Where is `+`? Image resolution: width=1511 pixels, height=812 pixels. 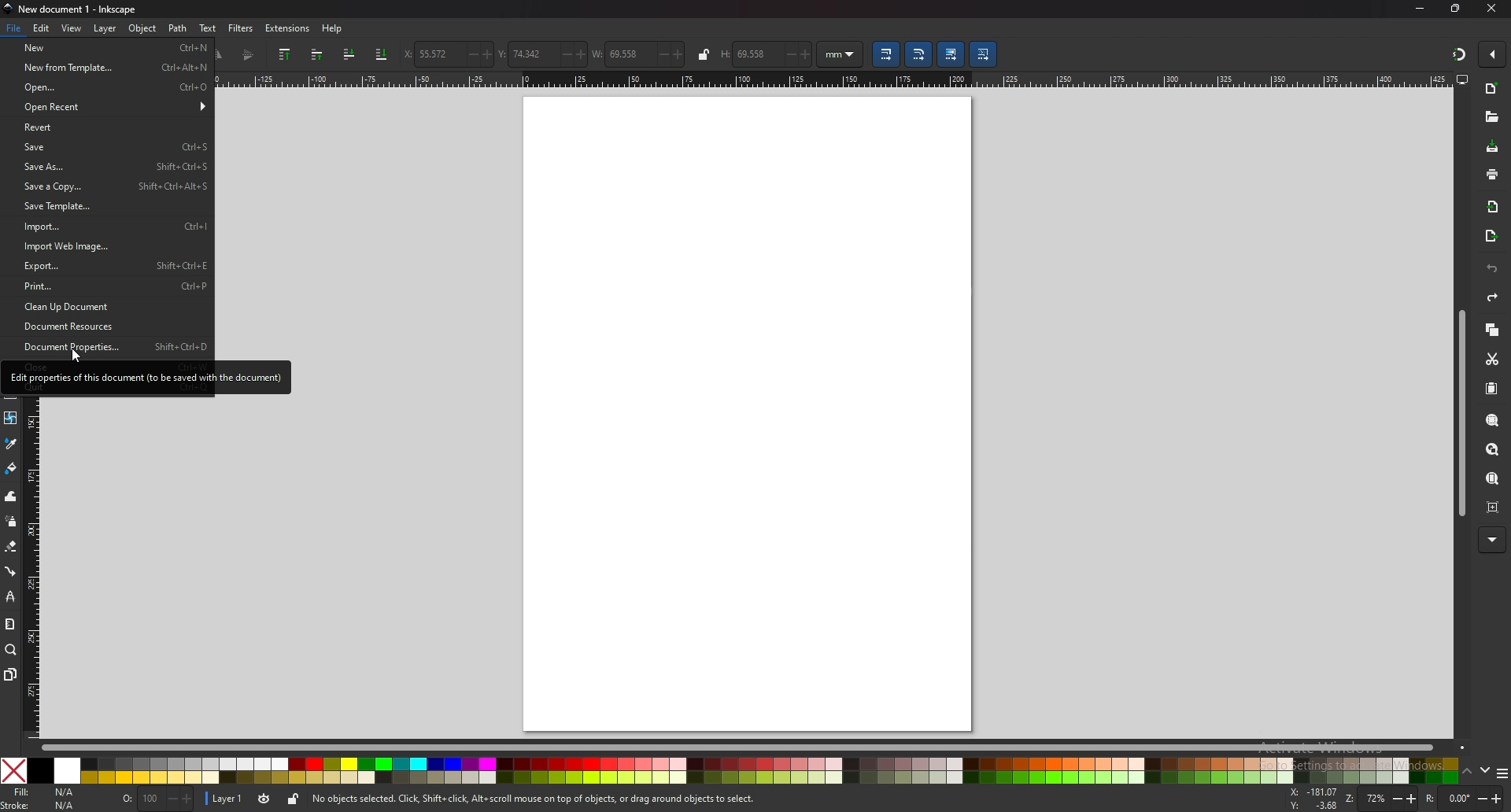 + is located at coordinates (1500, 798).